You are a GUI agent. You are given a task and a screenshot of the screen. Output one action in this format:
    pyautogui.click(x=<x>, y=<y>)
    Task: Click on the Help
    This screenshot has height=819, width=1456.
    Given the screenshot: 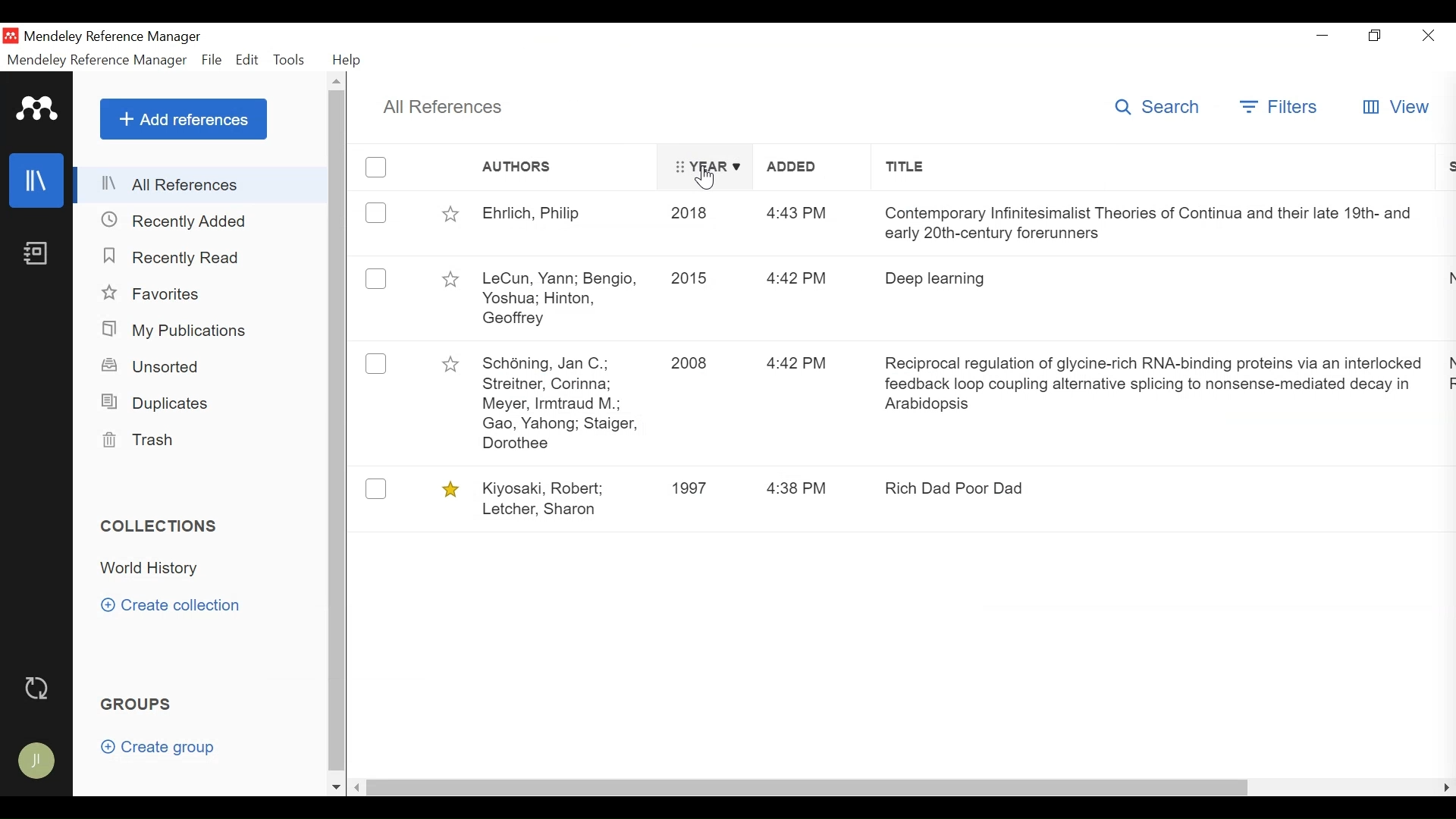 What is the action you would take?
    pyautogui.click(x=347, y=60)
    